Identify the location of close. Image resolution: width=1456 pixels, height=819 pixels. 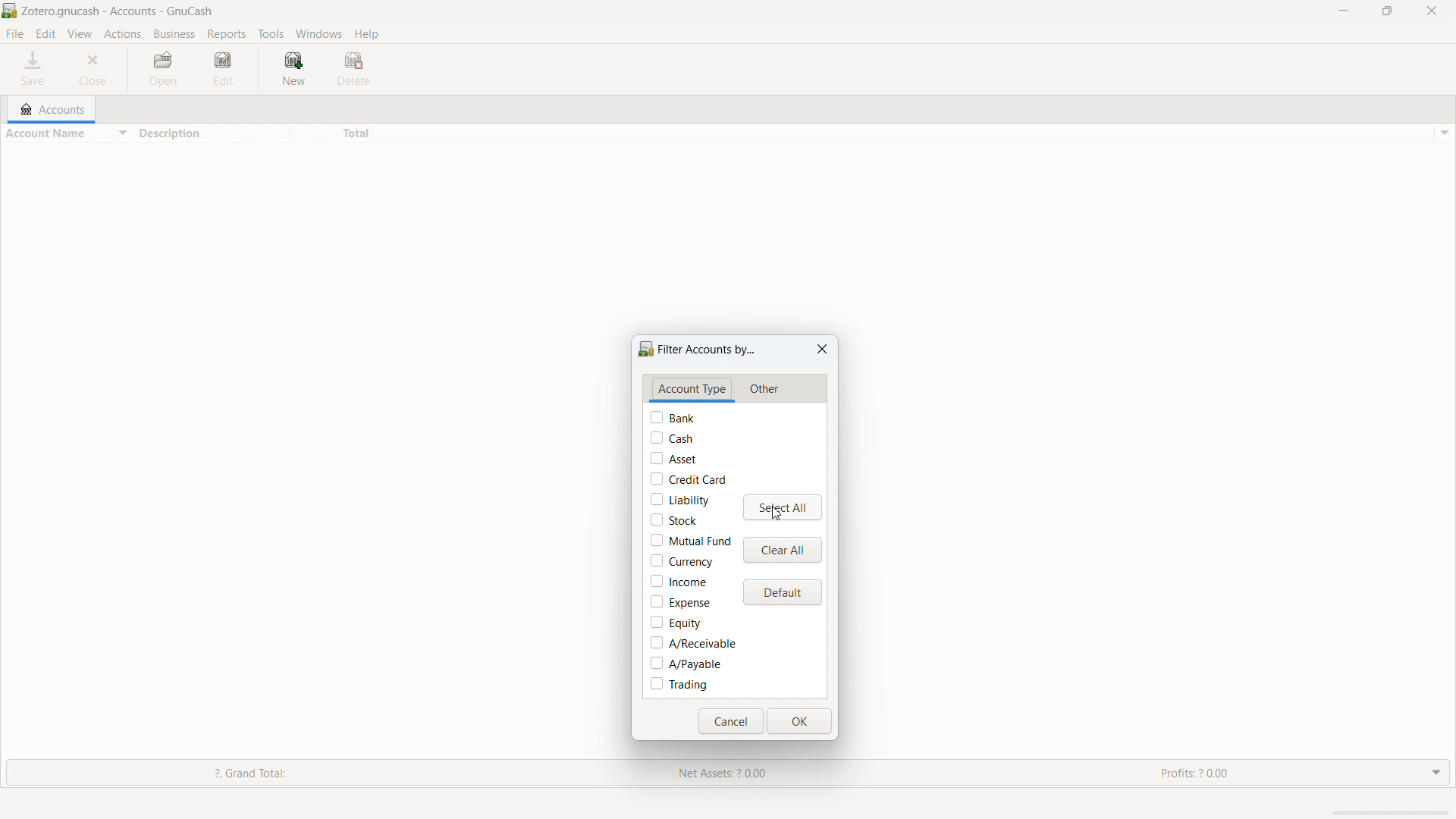
(94, 69).